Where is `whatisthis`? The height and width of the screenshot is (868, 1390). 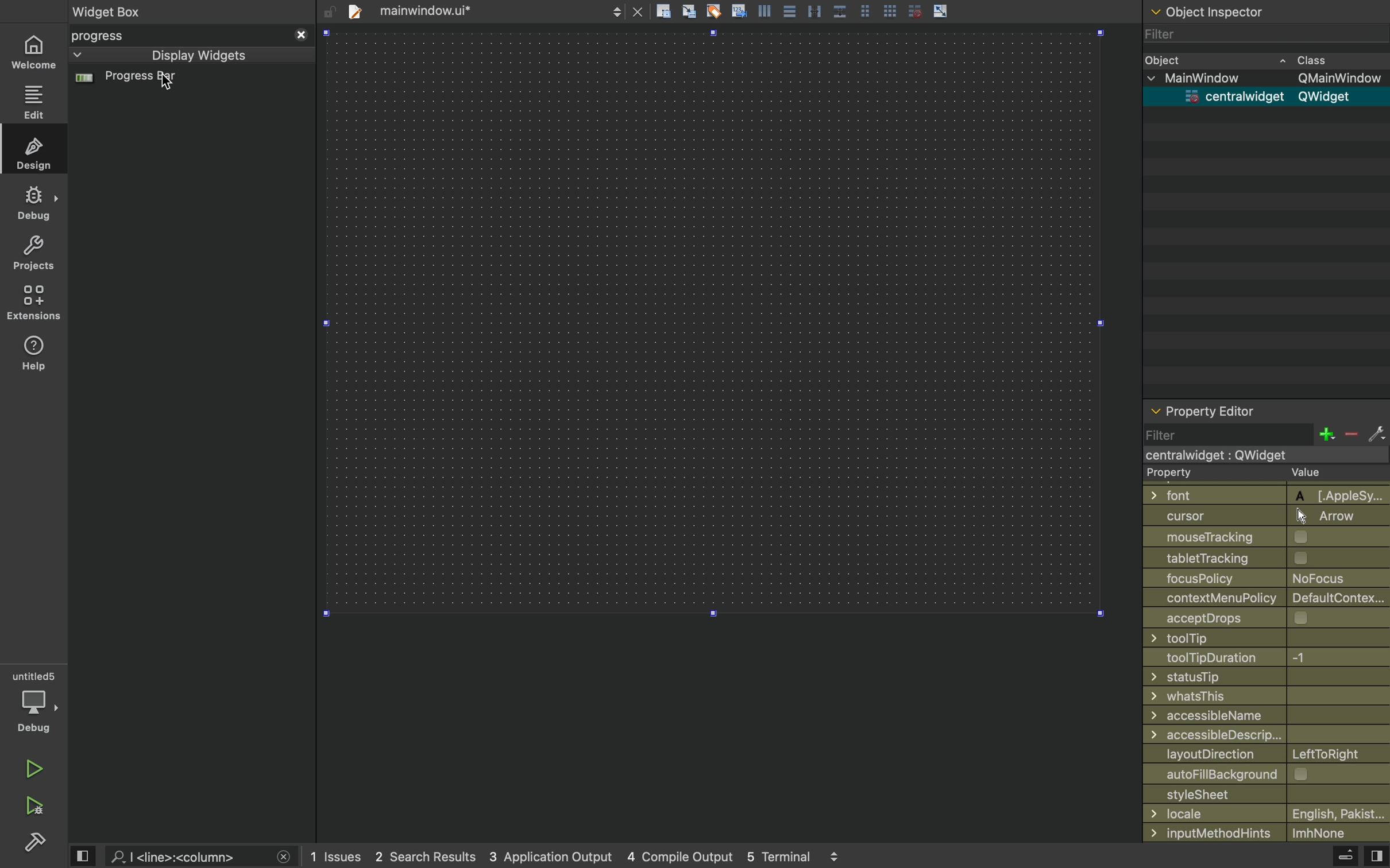
whatisthis is located at coordinates (1257, 697).